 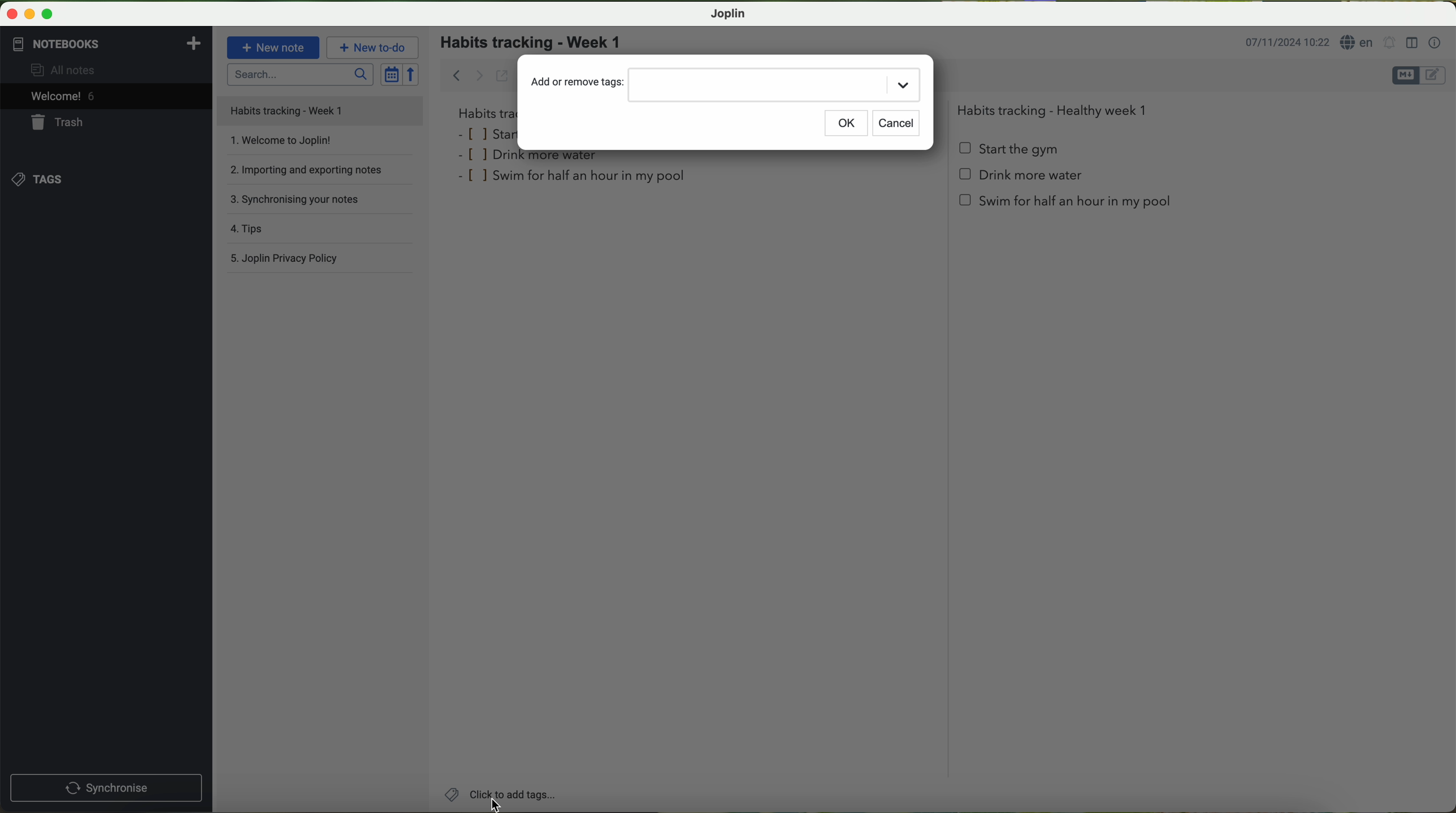 I want to click on cursor, so click(x=497, y=804).